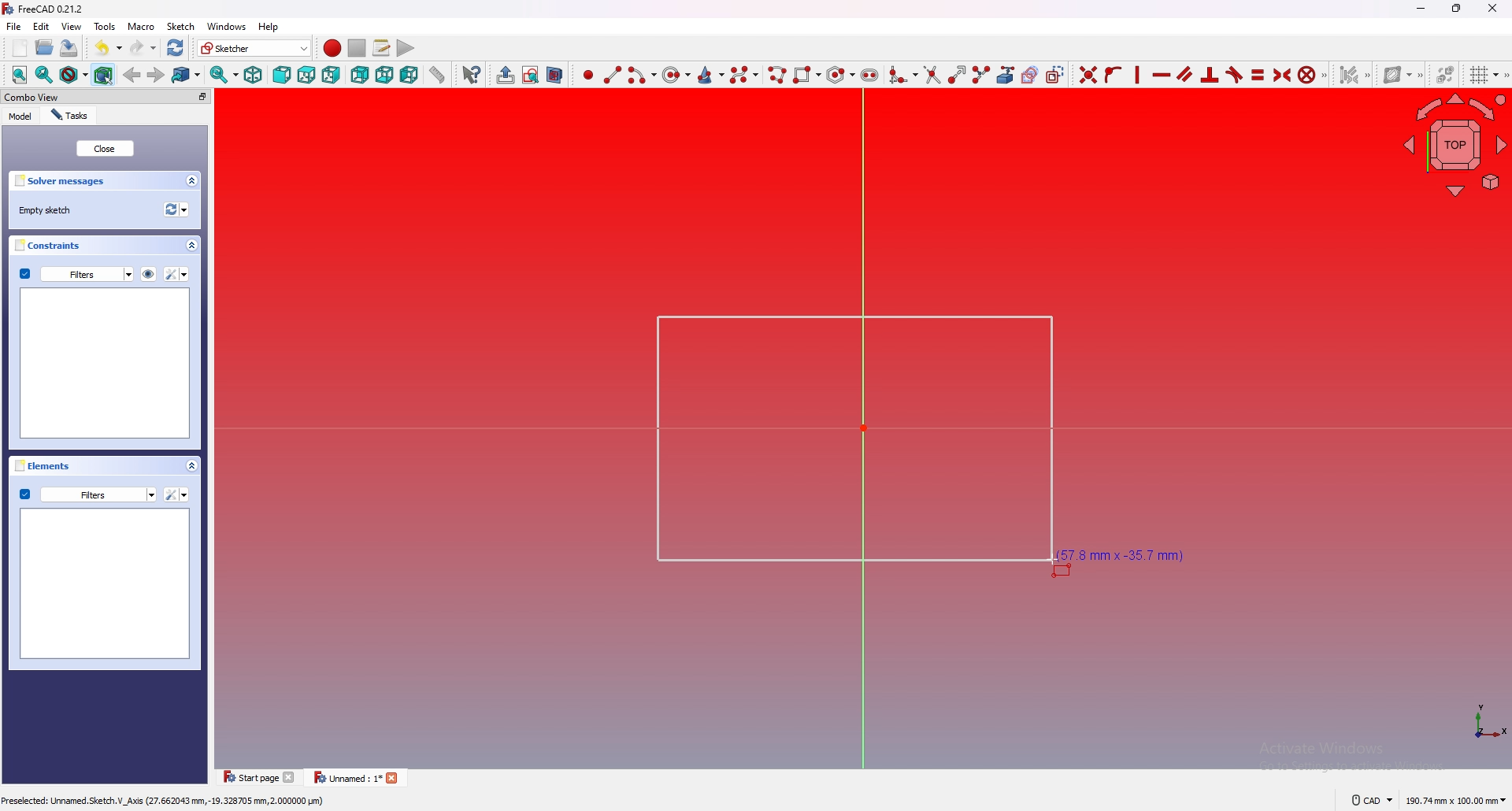  Describe the element at coordinates (74, 75) in the screenshot. I see `draw style` at that location.